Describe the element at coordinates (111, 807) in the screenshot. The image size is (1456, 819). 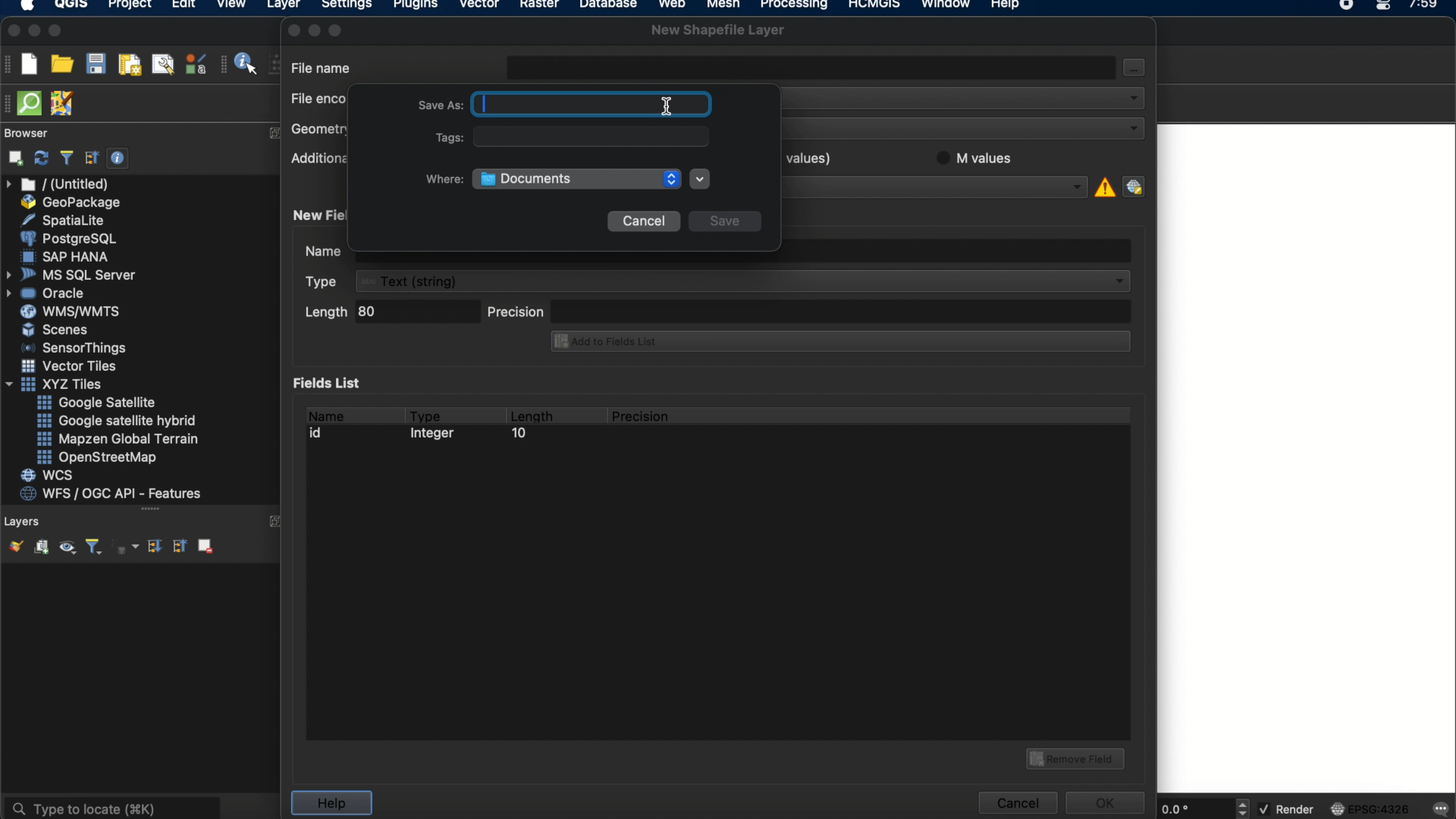
I see `type to locate` at that location.